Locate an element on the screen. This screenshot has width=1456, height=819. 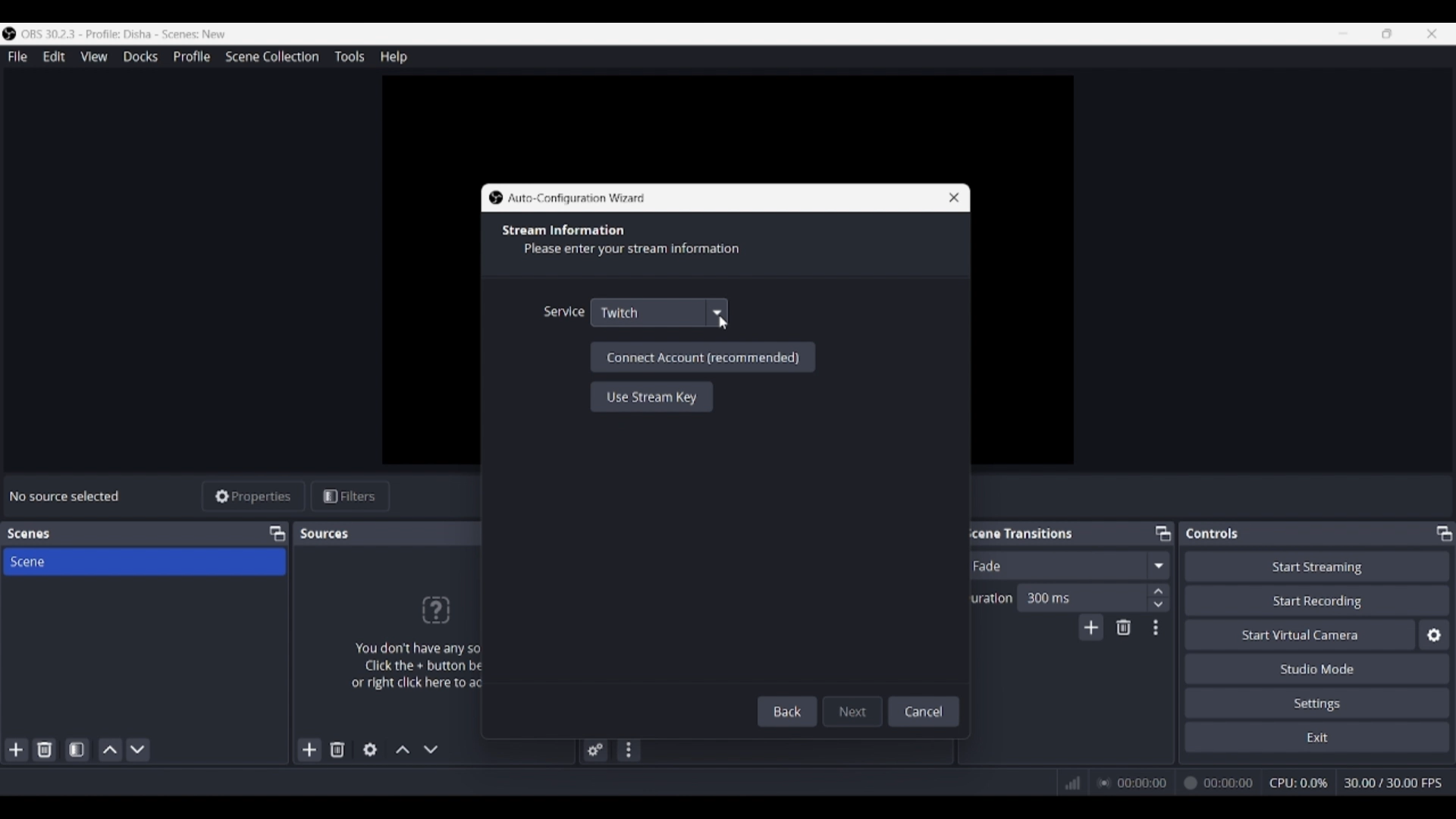
Close interface is located at coordinates (1432, 33).